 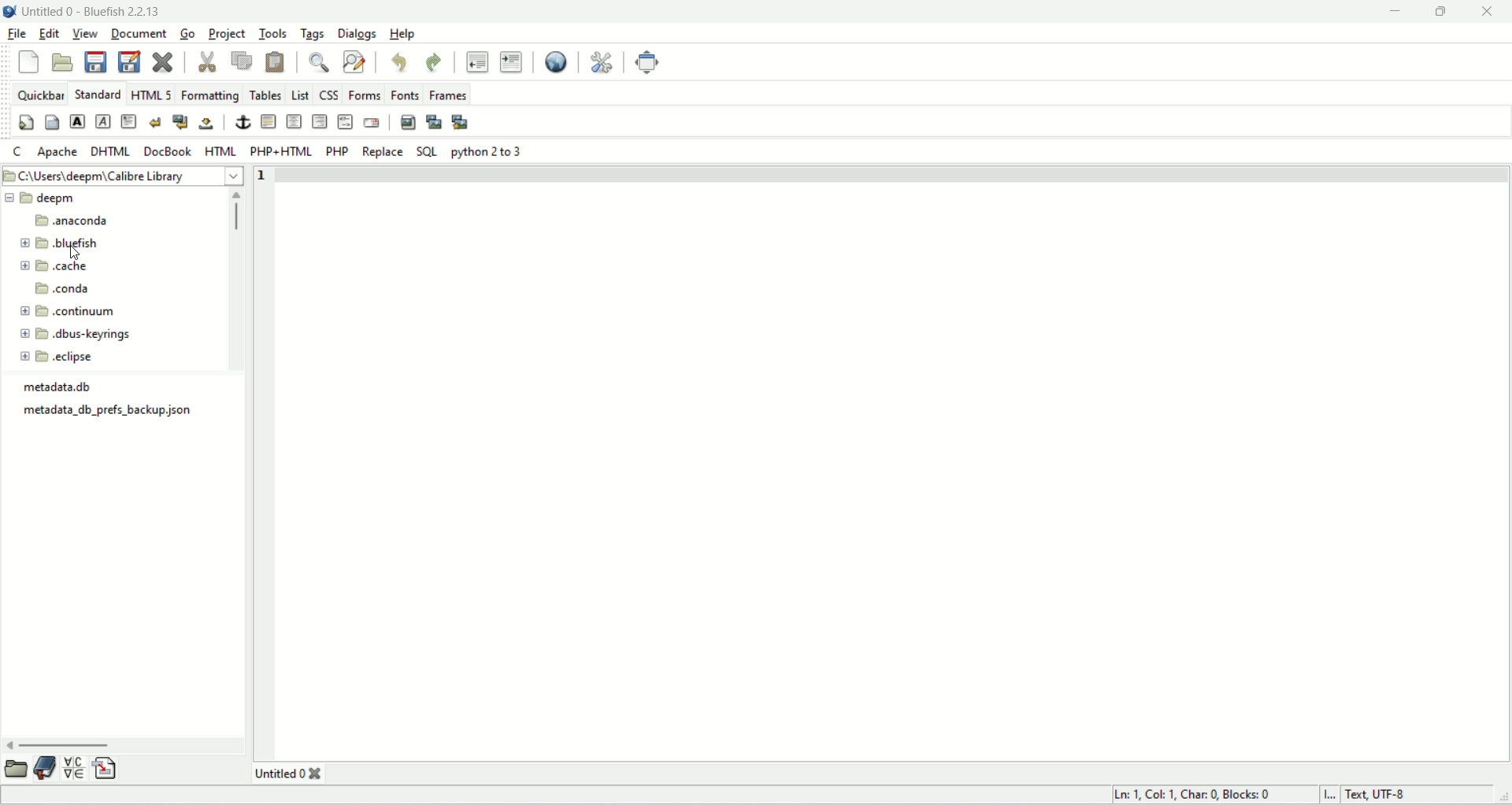 I want to click on paste, so click(x=277, y=61).